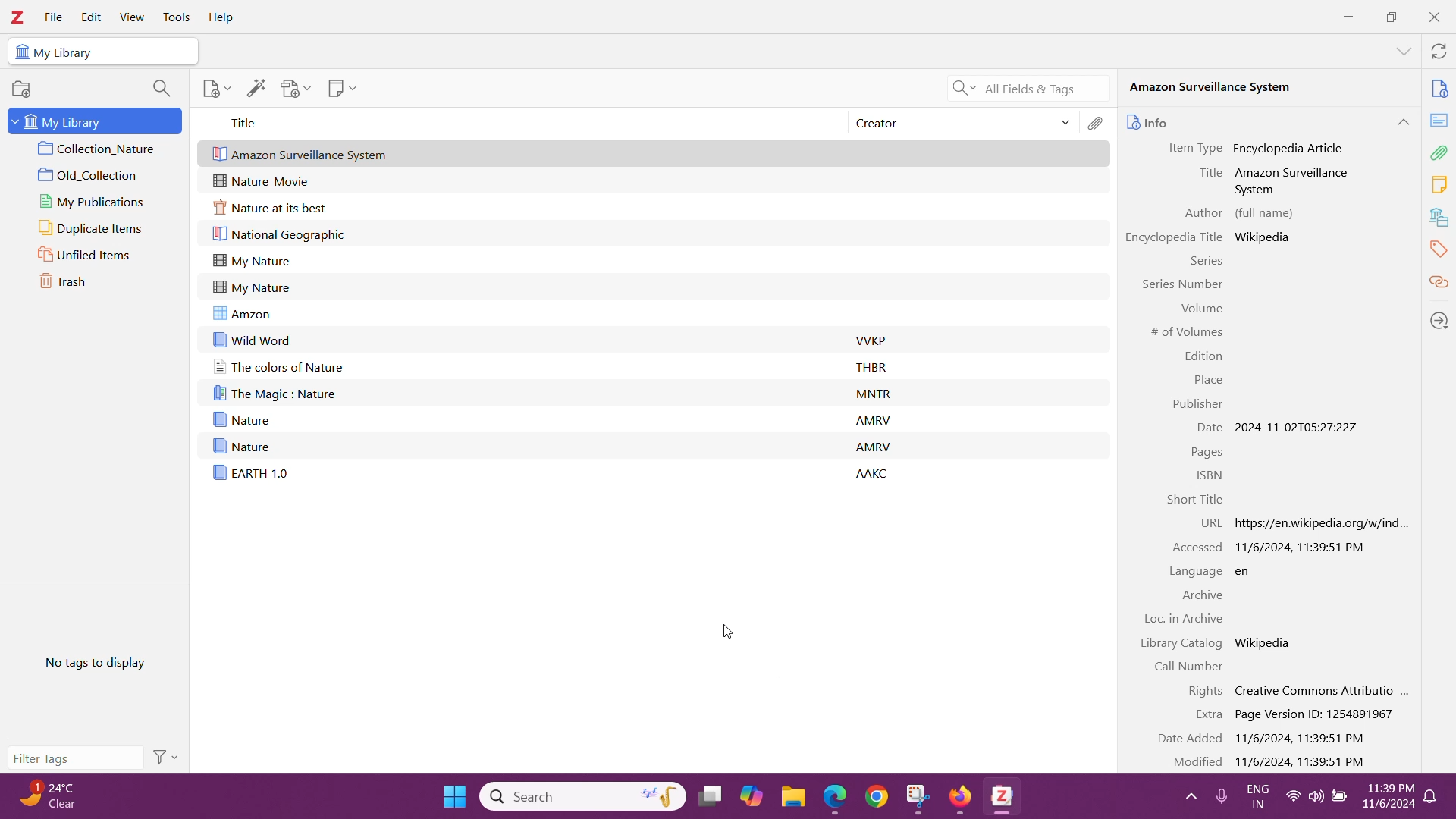 This screenshot has height=819, width=1456. Describe the element at coordinates (1324, 523) in the screenshot. I see `Webpage URL` at that location.